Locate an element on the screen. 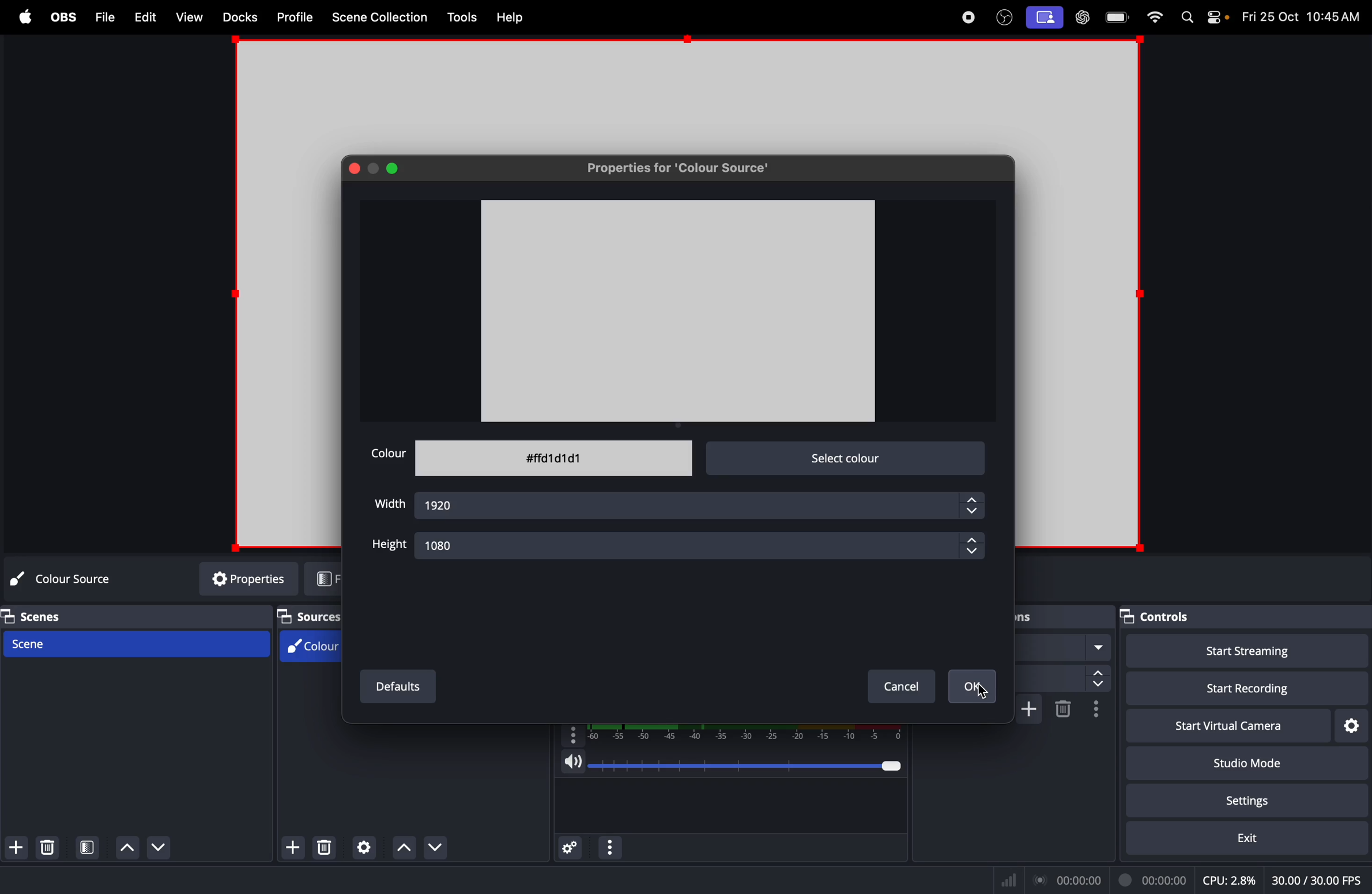  colour is located at coordinates (388, 454).